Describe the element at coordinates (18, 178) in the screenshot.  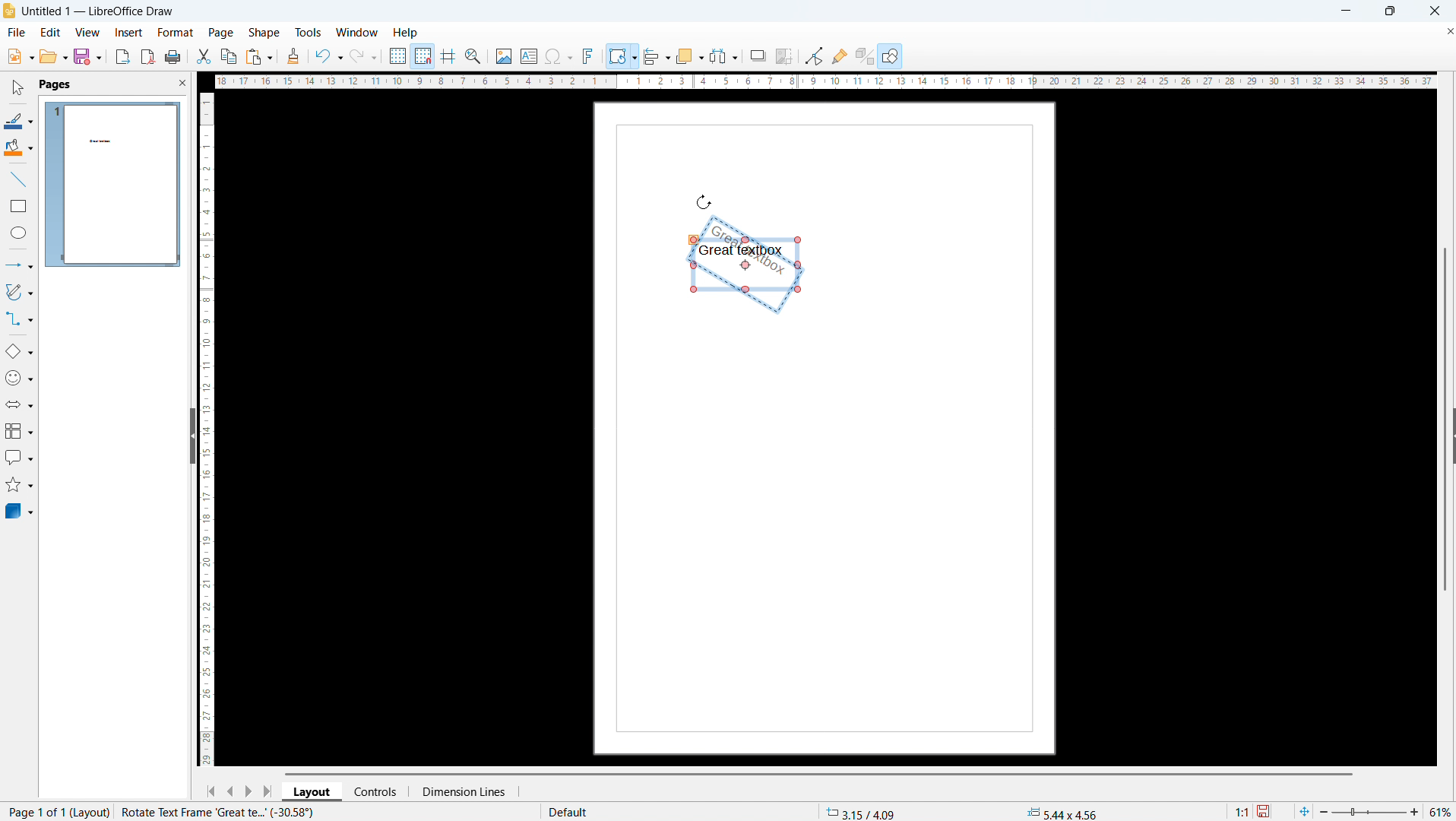
I see `line tool` at that location.